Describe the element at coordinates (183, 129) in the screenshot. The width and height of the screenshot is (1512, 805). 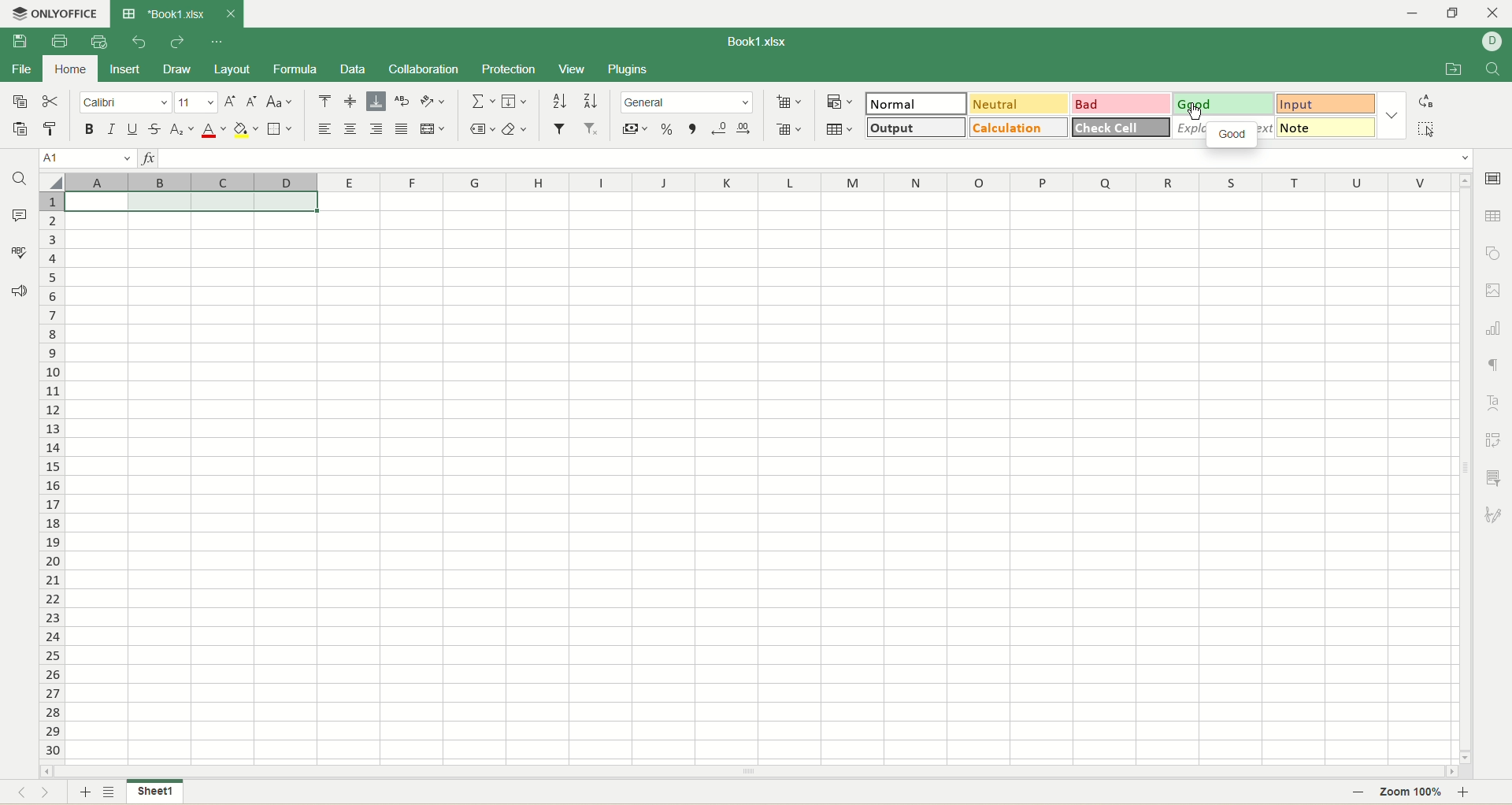
I see `subscript` at that location.